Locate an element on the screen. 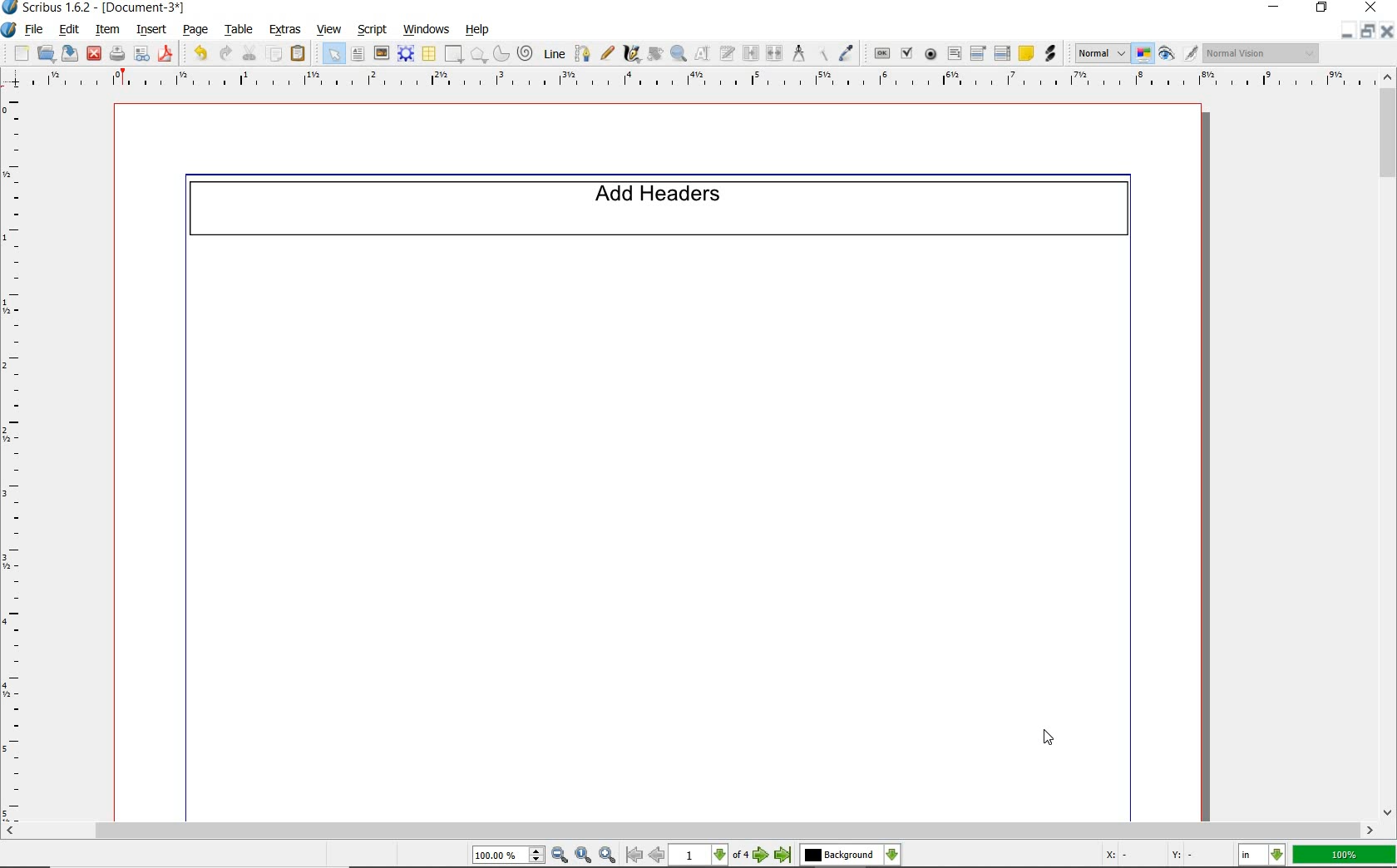 Image resolution: width=1397 pixels, height=868 pixels. link text frames is located at coordinates (751, 53).